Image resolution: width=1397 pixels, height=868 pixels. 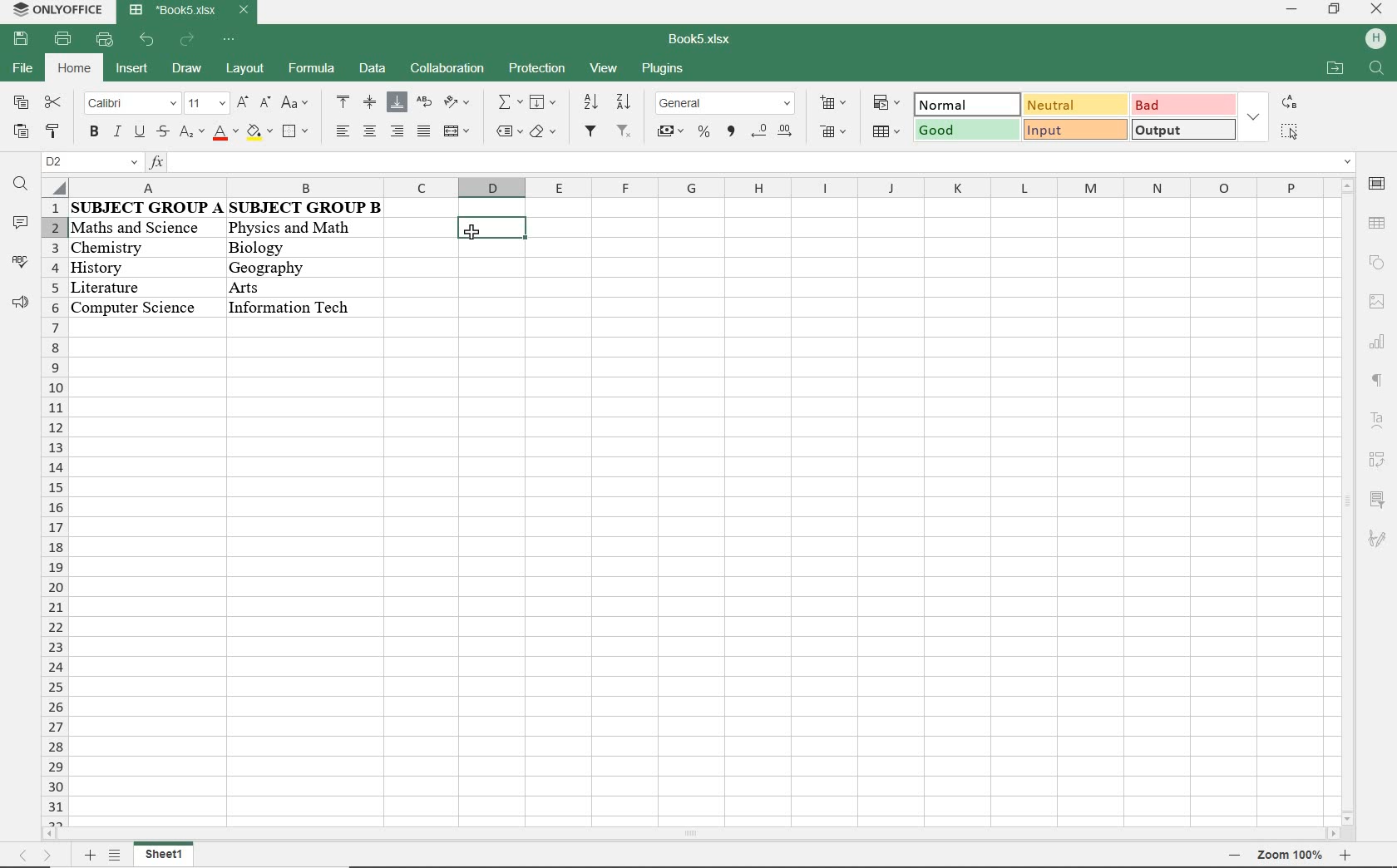 What do you see at coordinates (624, 102) in the screenshot?
I see `sort descending` at bounding box center [624, 102].